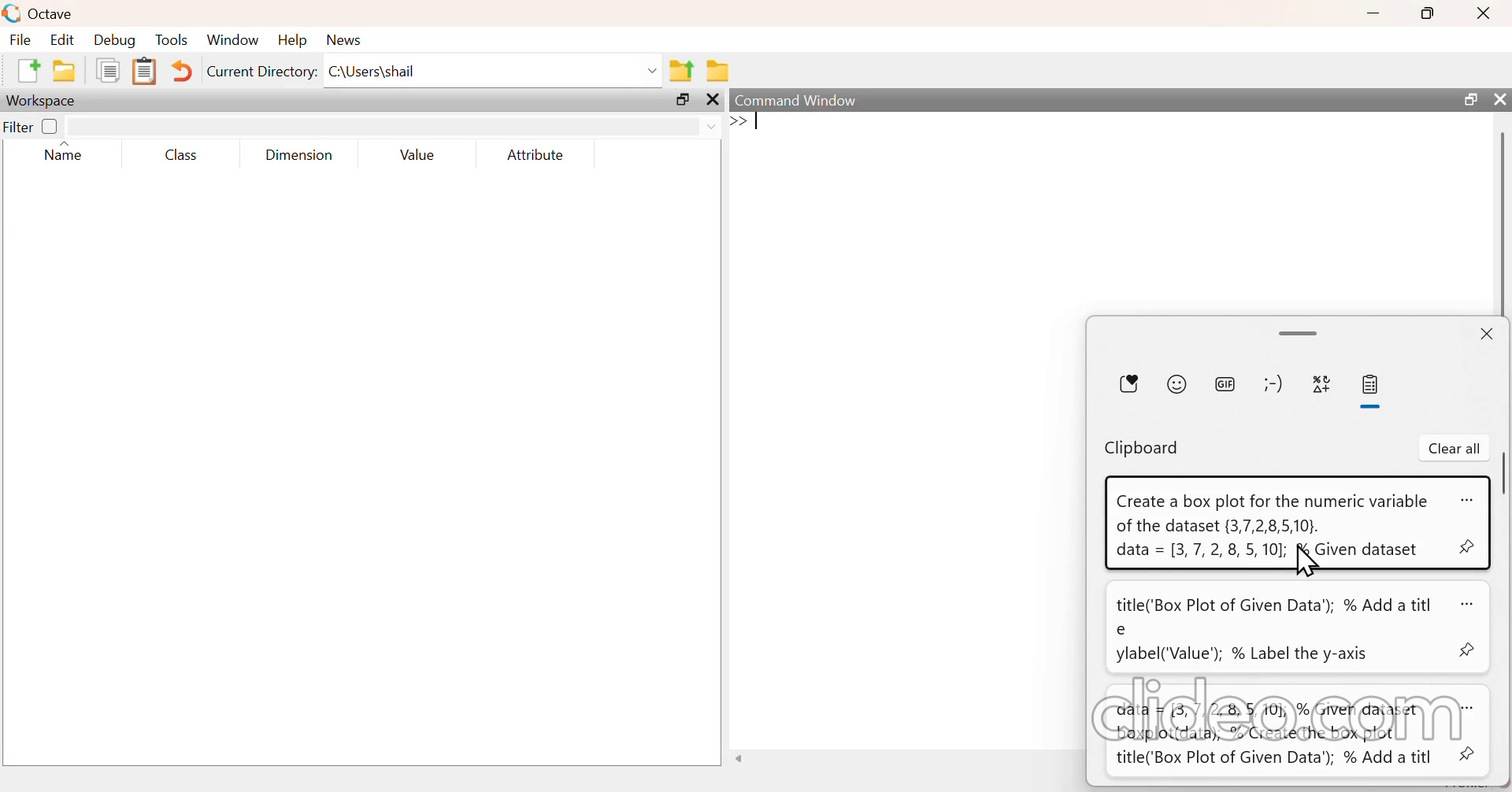 The image size is (1512, 792). Describe the element at coordinates (535, 154) in the screenshot. I see `attribute` at that location.